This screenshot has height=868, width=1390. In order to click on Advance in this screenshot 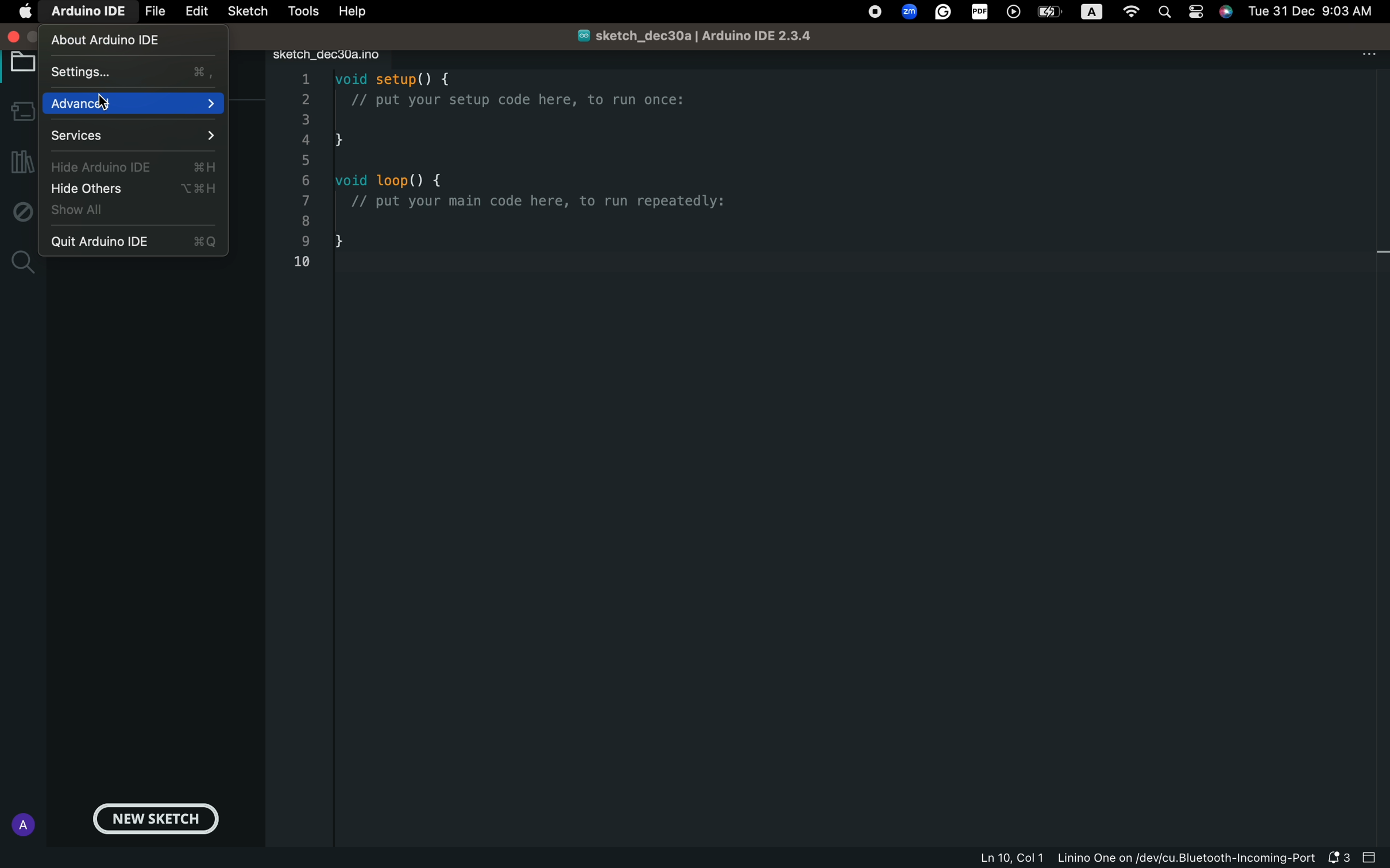, I will do `click(133, 105)`.